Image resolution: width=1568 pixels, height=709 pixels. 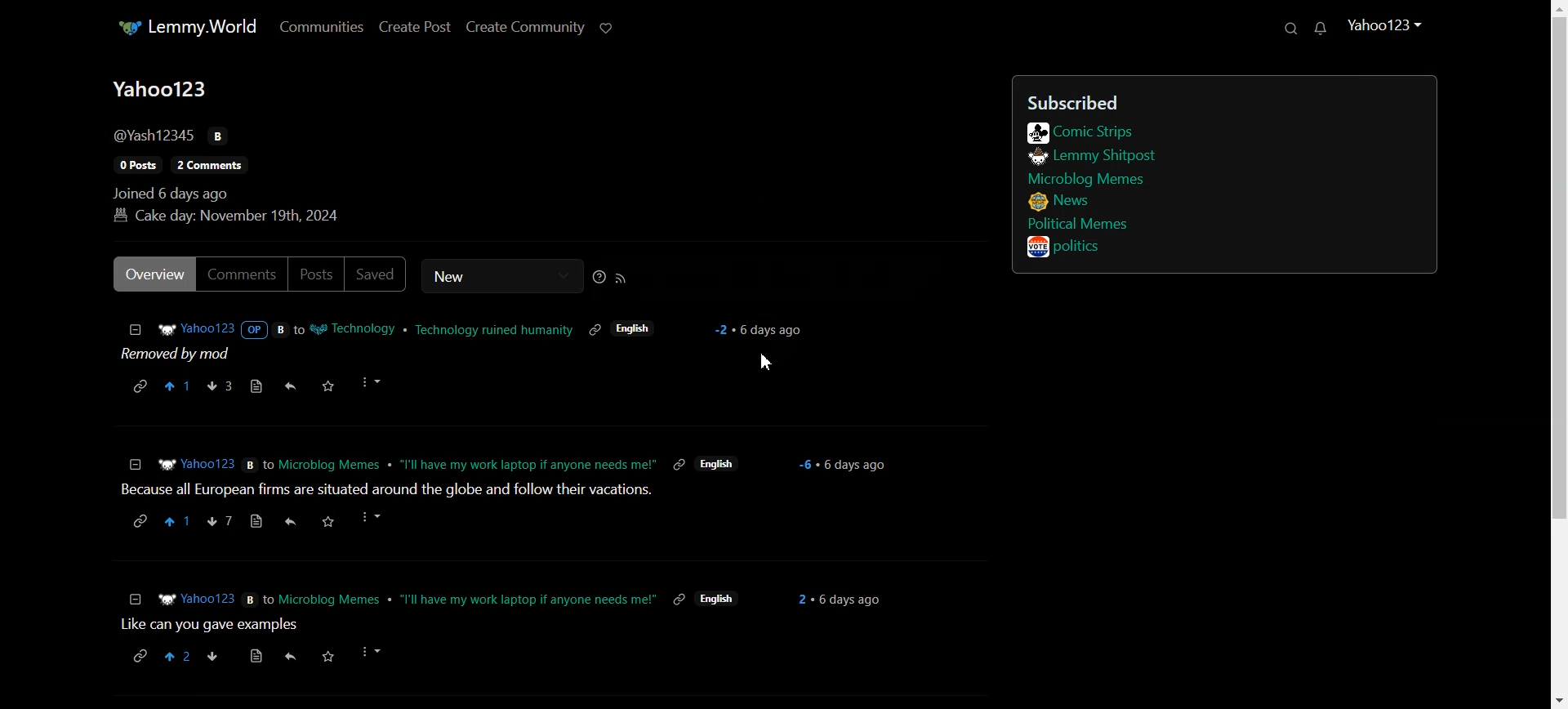 I want to click on Hyperlink, so click(x=409, y=330).